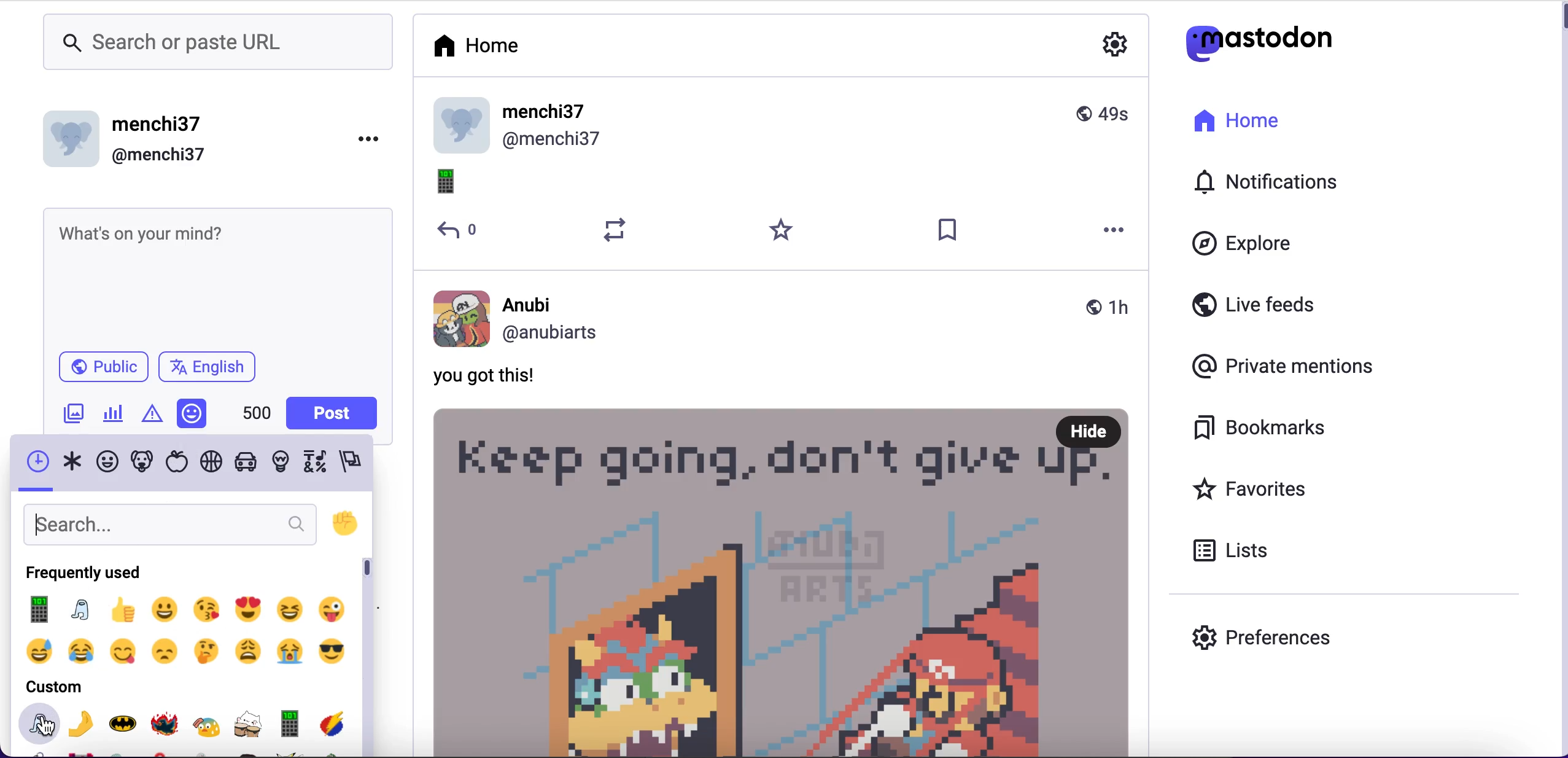 Image resolution: width=1568 pixels, height=758 pixels. Describe the element at coordinates (783, 231) in the screenshot. I see `favorites` at that location.